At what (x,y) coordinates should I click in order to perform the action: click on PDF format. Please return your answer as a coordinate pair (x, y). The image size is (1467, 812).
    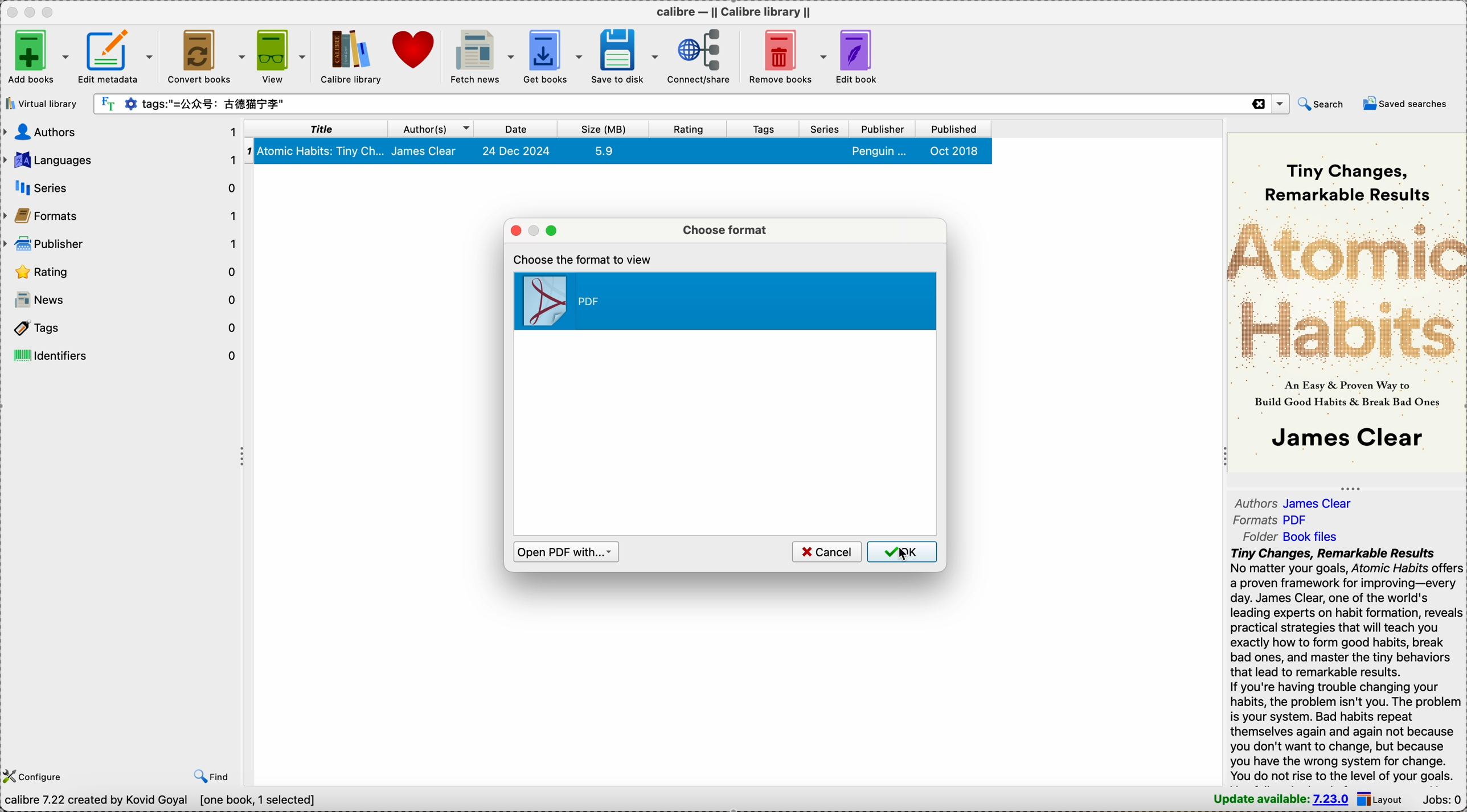
    Looking at the image, I should click on (726, 301).